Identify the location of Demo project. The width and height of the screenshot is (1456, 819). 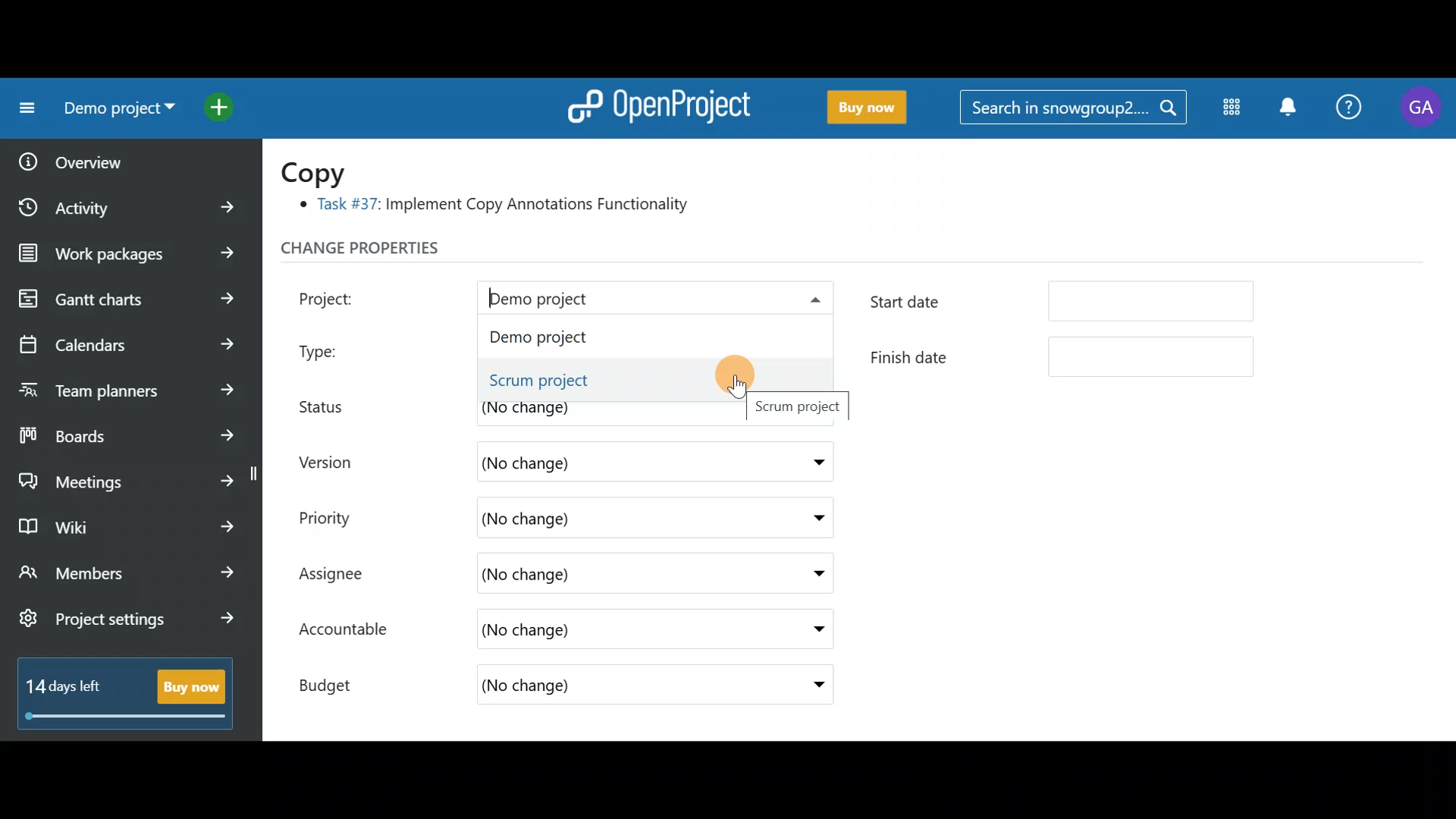
(610, 300).